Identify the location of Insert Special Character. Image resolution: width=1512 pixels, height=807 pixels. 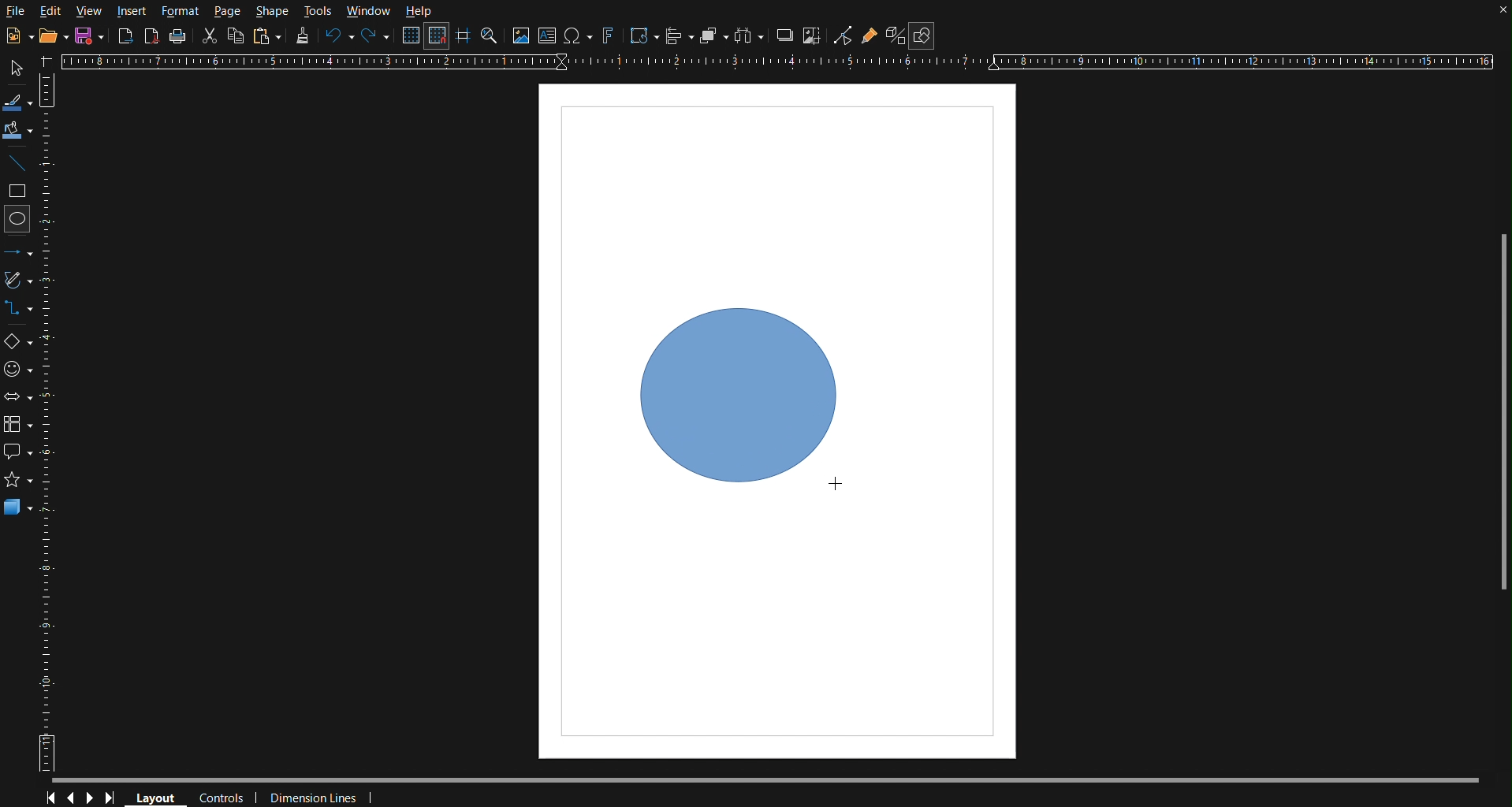
(579, 36).